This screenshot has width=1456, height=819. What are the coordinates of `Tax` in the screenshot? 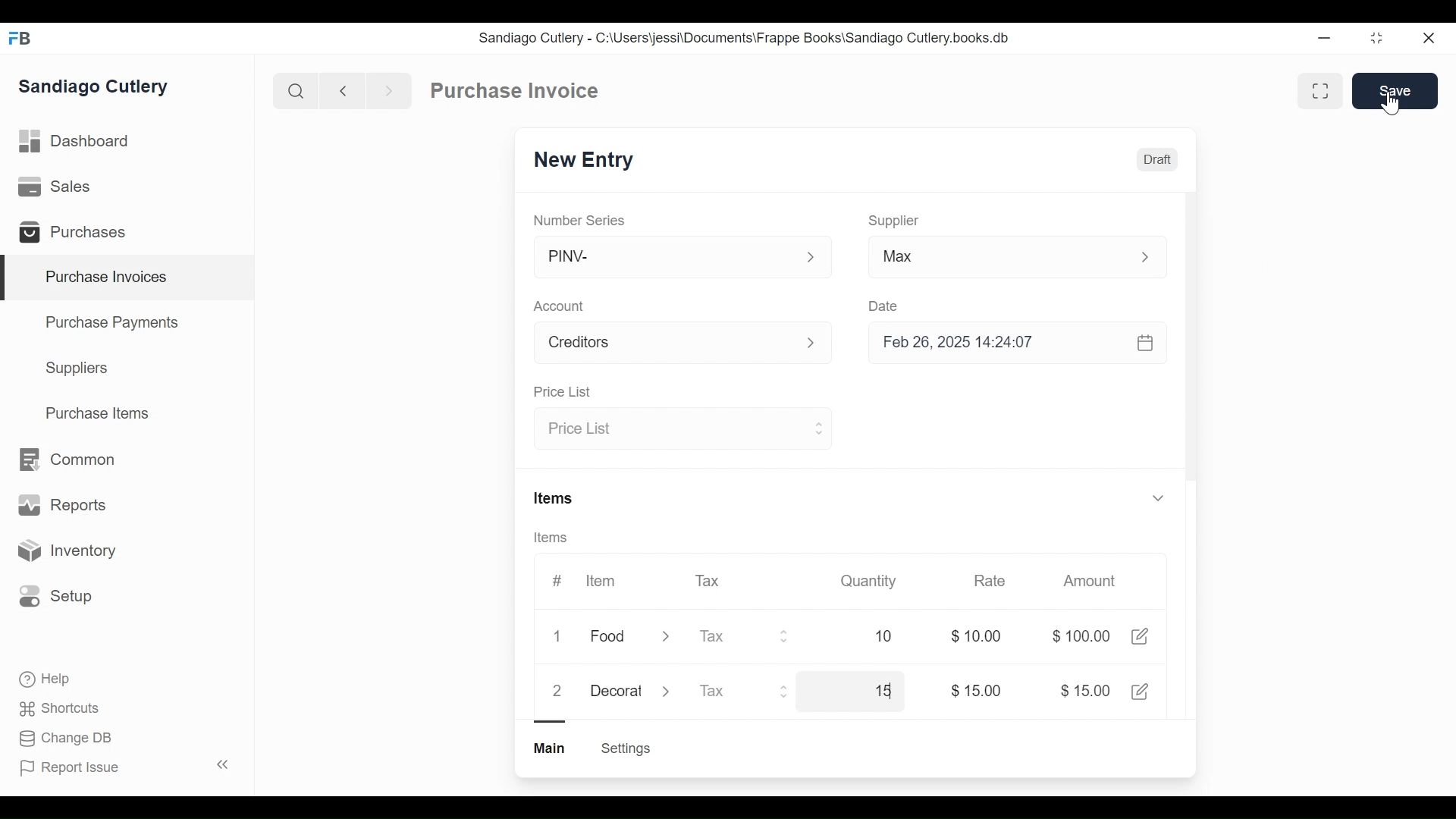 It's located at (728, 692).